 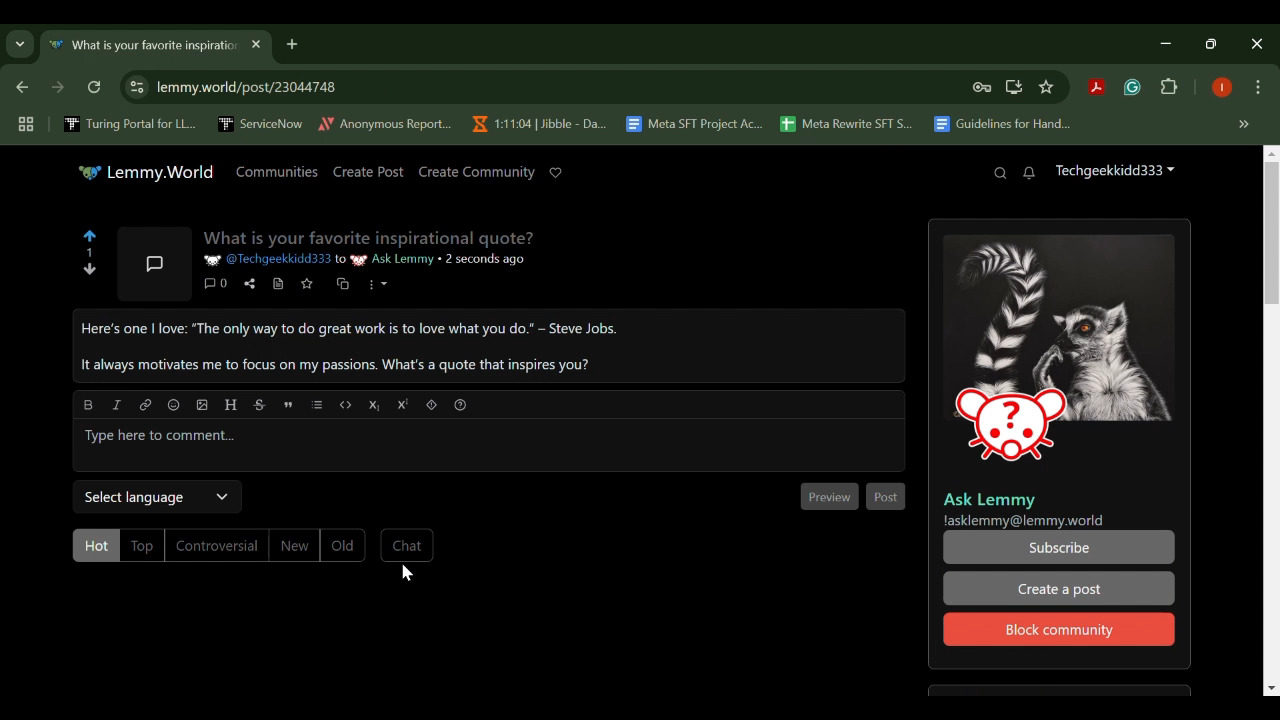 I want to click on 1:11:04 | Jibble - Da..., so click(x=538, y=124).